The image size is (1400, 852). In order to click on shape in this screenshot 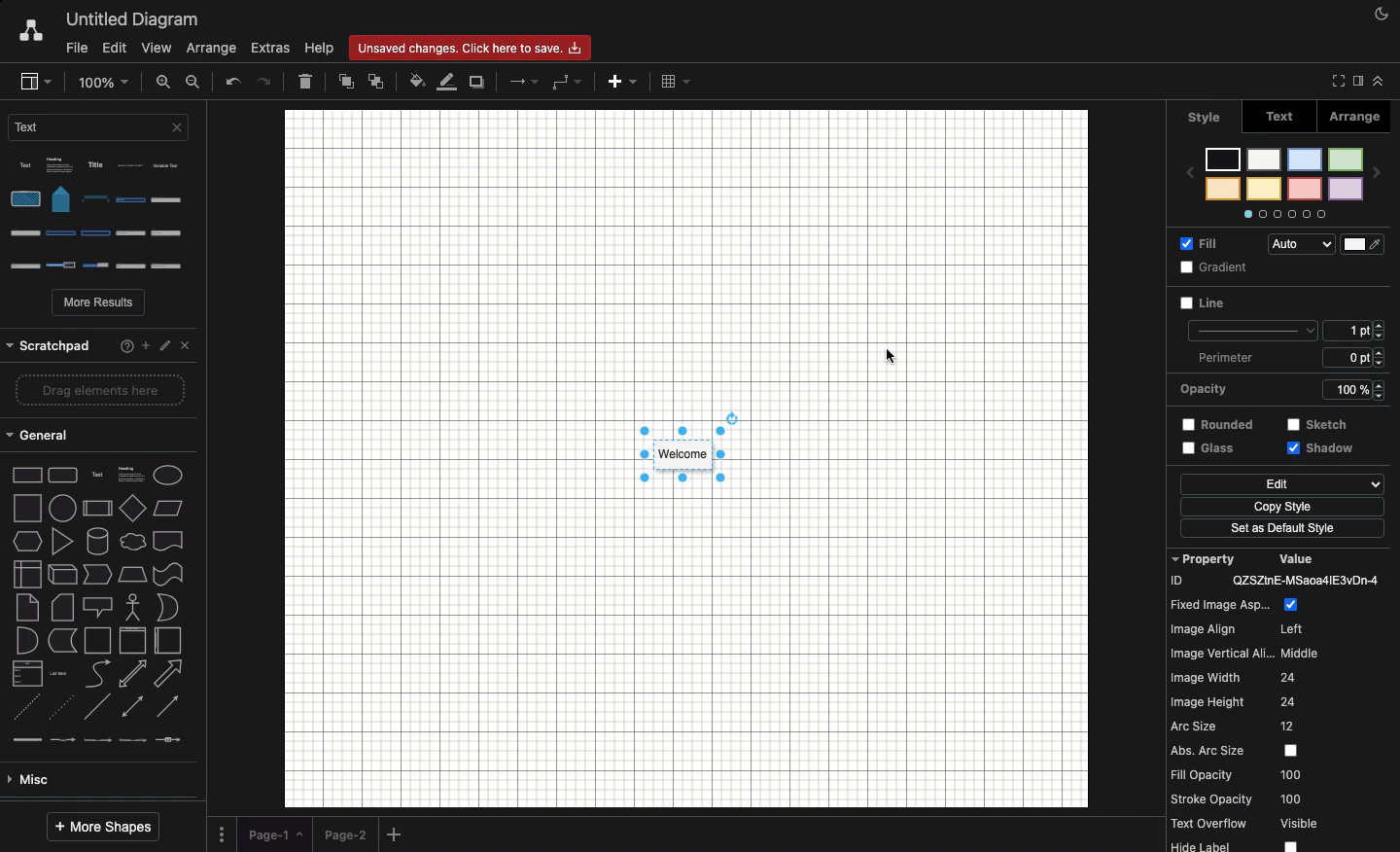, I will do `click(99, 438)`.